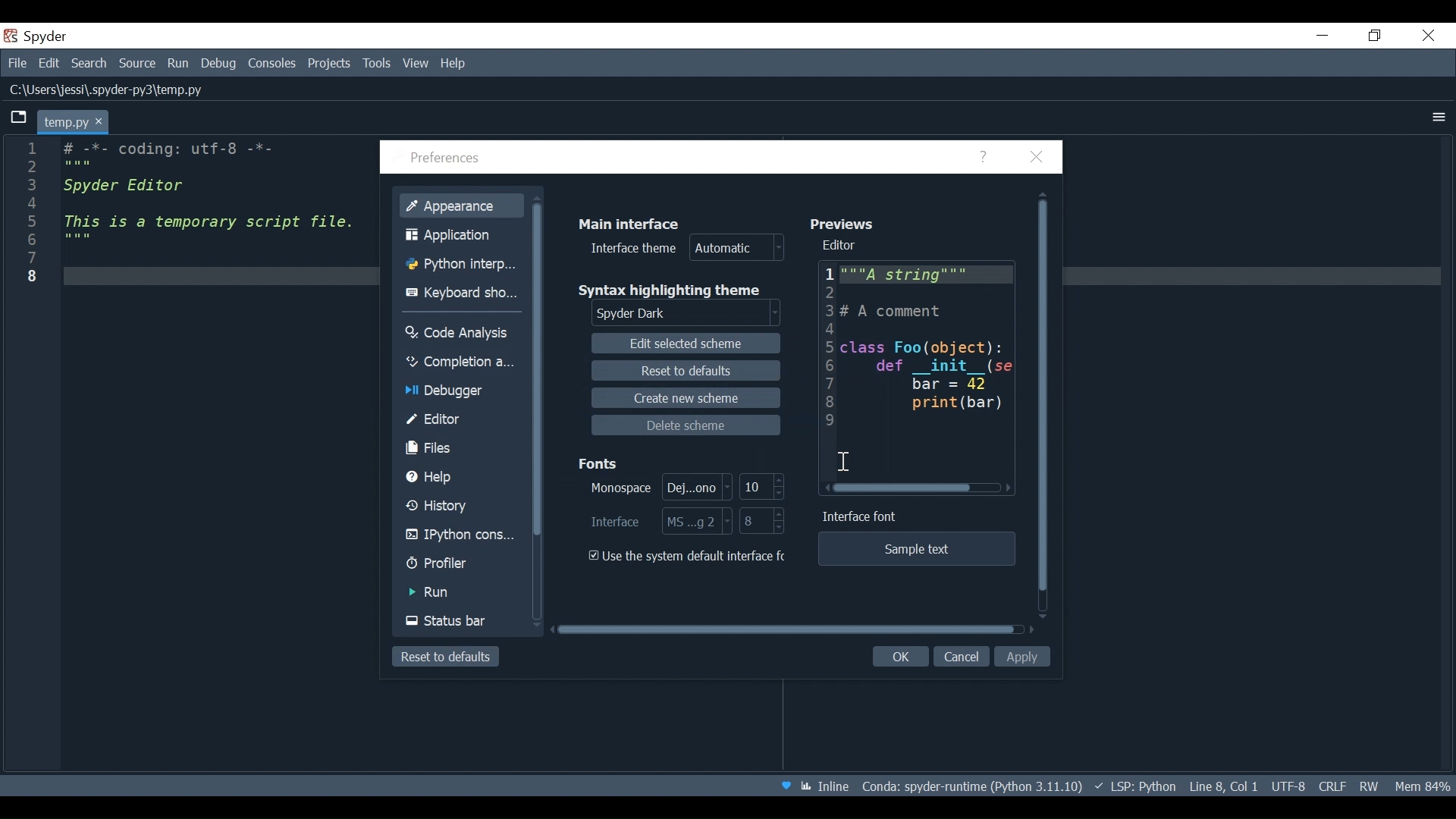  I want to click on Restore, so click(1376, 36).